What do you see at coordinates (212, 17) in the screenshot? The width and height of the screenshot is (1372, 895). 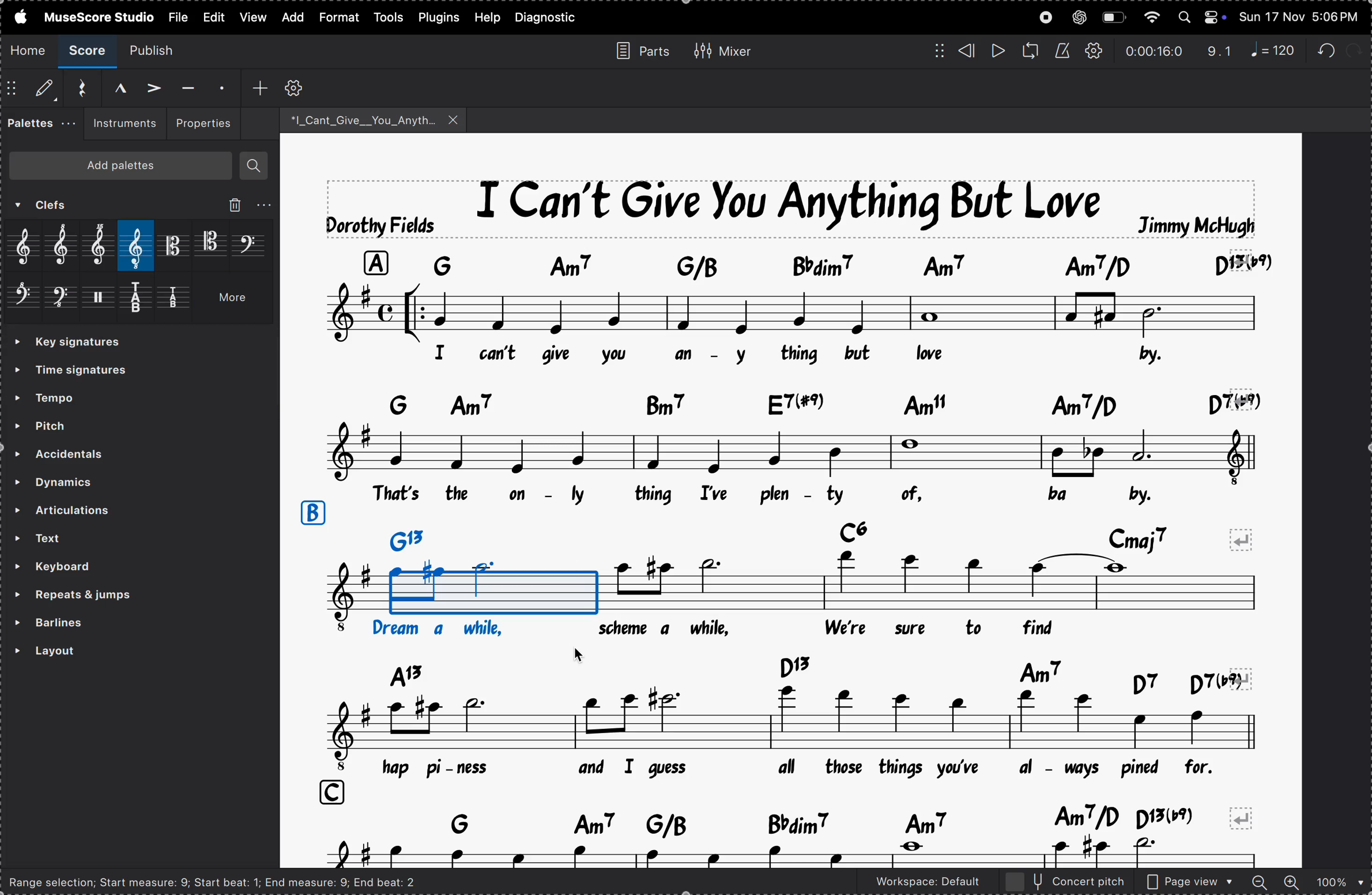 I see `view` at bounding box center [212, 17].